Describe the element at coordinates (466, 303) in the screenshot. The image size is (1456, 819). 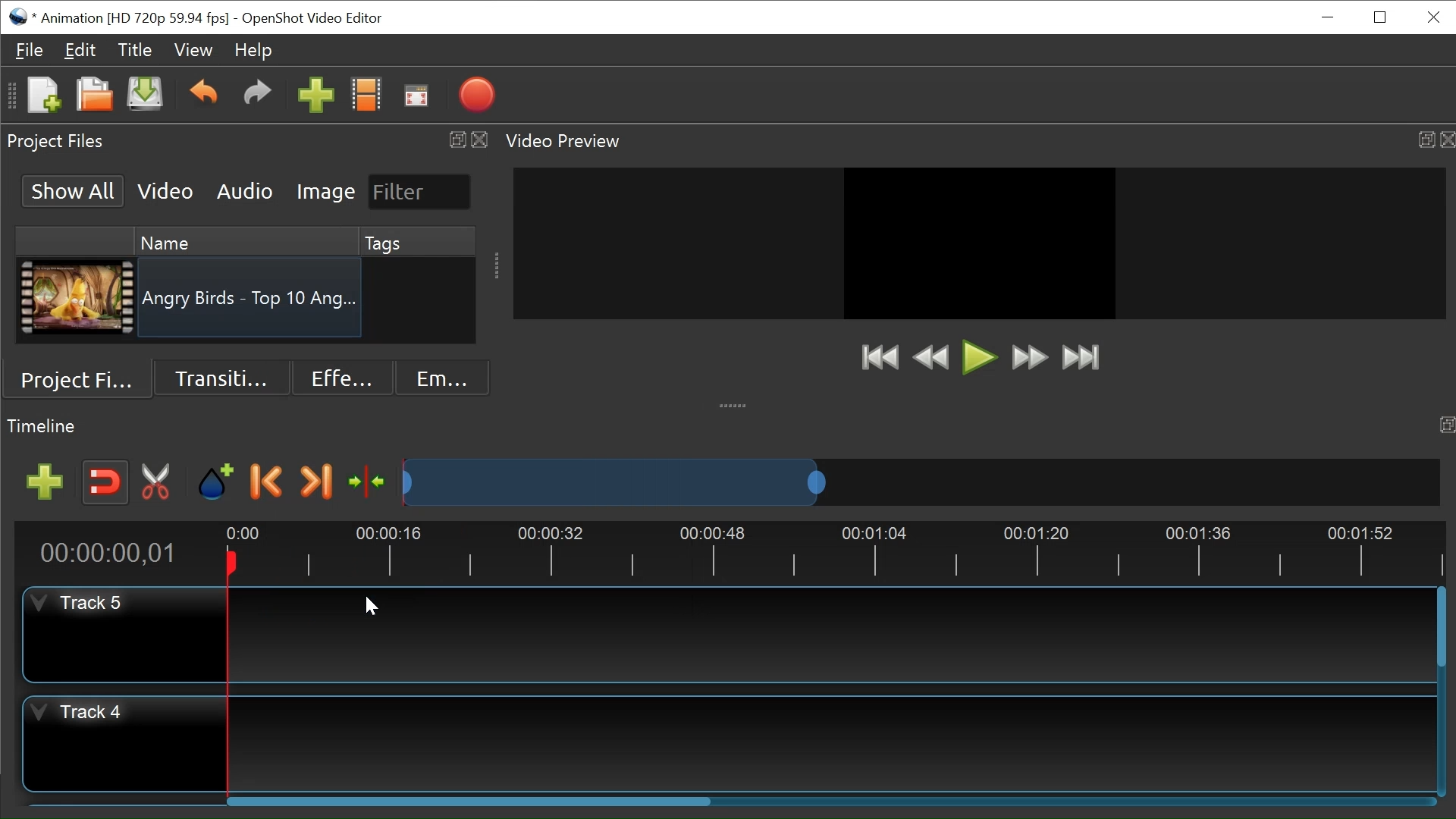
I see `Vertical Scroll bar` at that location.